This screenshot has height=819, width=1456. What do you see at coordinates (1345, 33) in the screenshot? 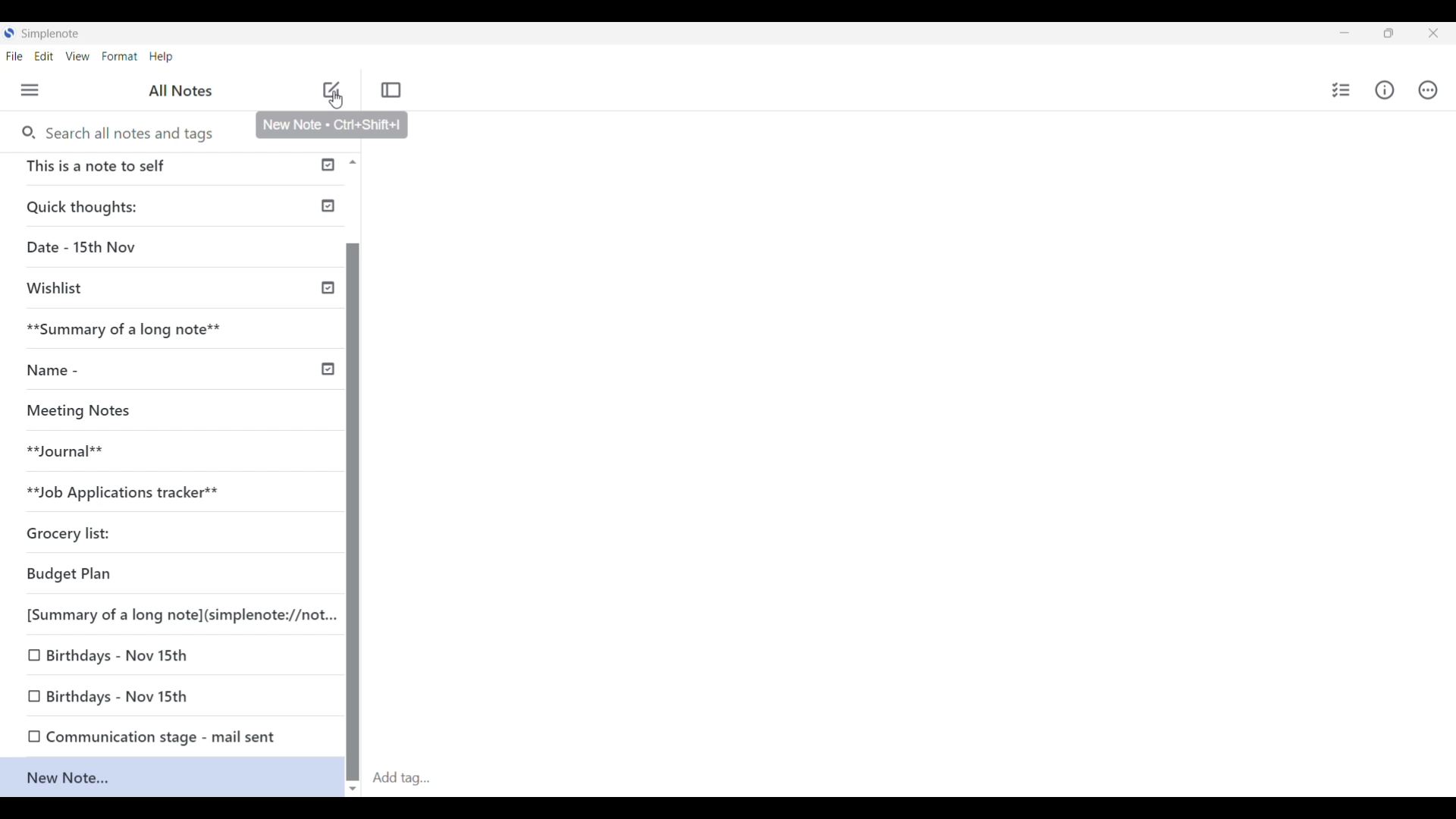
I see `Minimize ` at bounding box center [1345, 33].